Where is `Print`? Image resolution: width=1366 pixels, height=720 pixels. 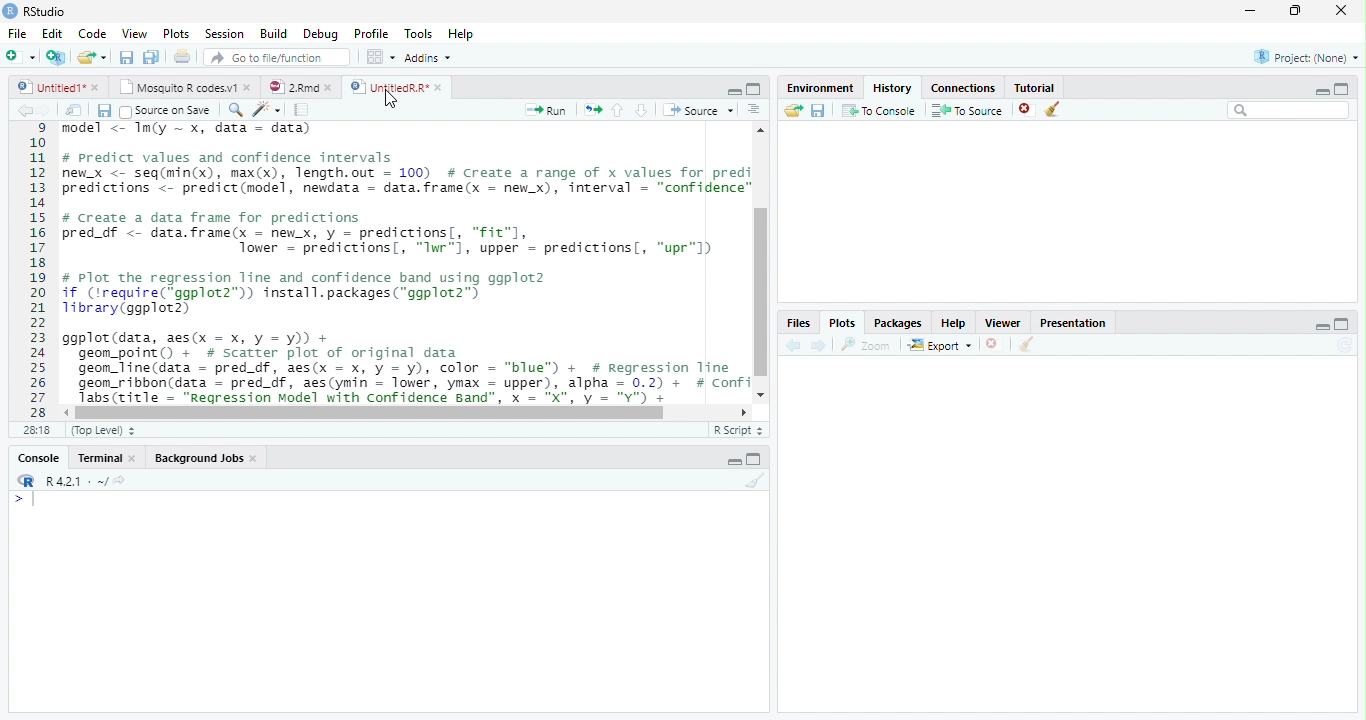
Print is located at coordinates (183, 58).